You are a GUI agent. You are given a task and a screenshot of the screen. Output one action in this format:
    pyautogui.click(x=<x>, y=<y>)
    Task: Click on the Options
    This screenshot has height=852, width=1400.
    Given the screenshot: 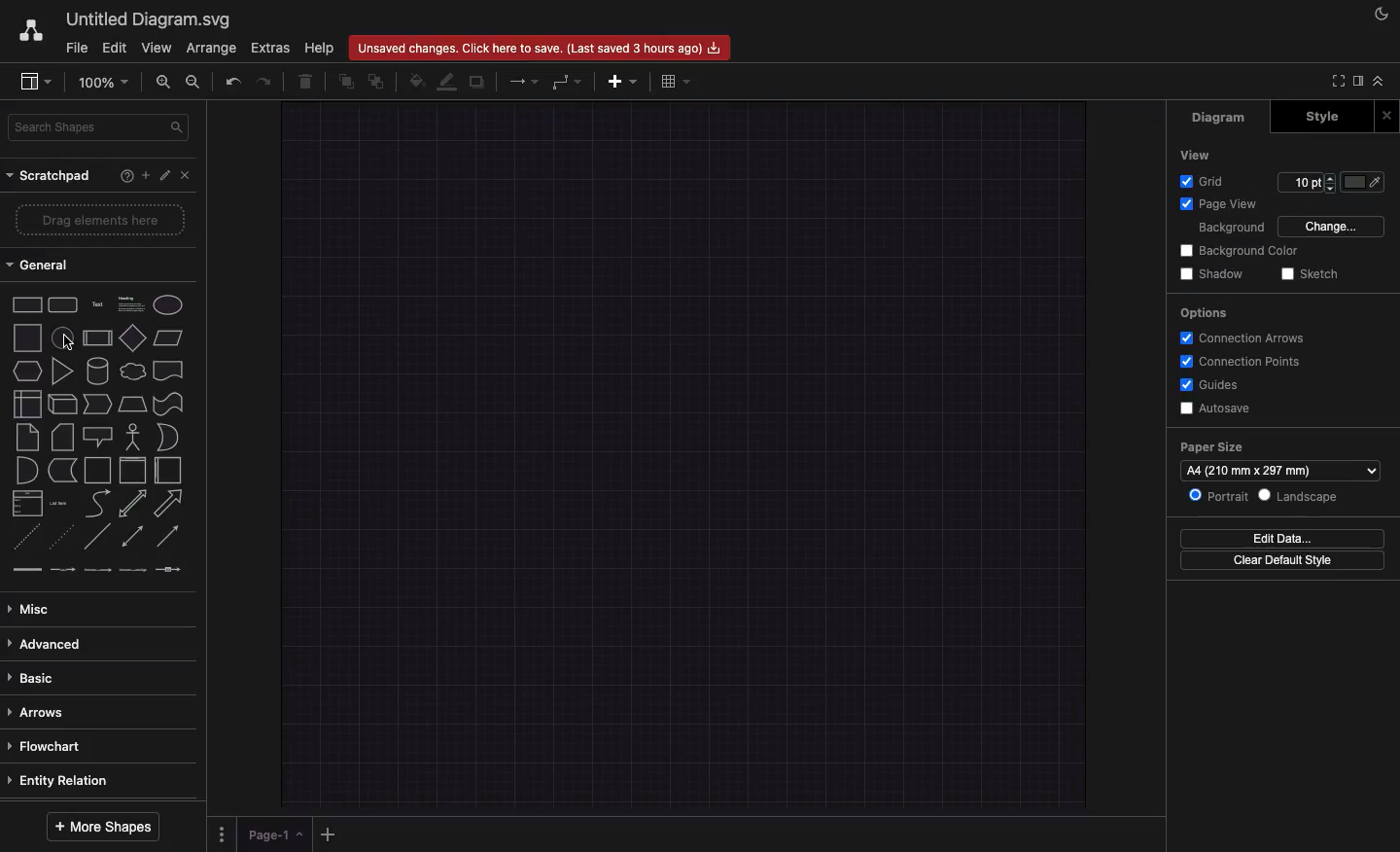 What is the action you would take?
    pyautogui.click(x=1202, y=311)
    